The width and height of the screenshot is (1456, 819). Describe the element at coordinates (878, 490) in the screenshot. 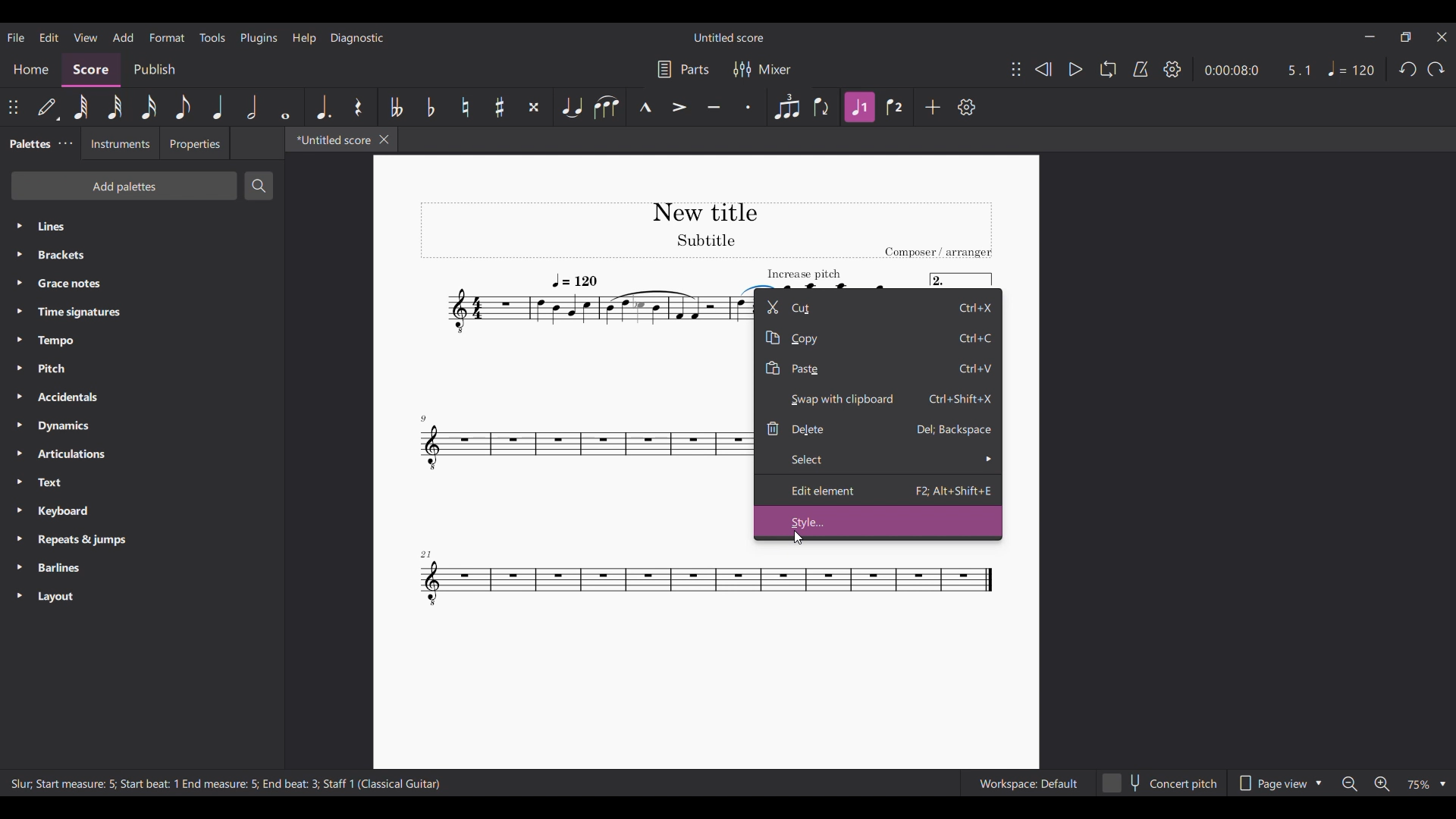

I see `Edit element` at that location.